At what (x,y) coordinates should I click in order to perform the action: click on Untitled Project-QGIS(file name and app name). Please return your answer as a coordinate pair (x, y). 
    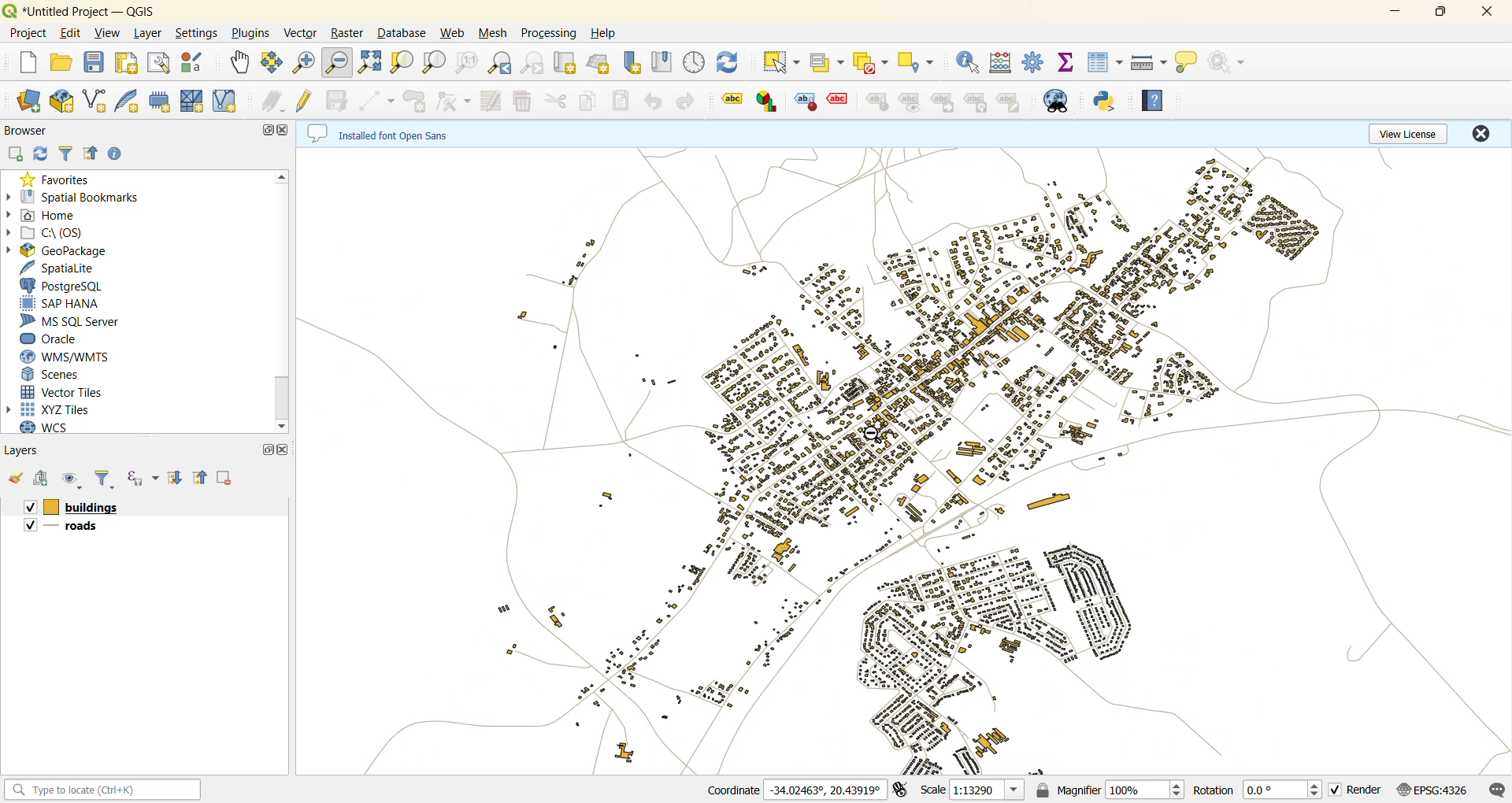
    Looking at the image, I should click on (85, 10).